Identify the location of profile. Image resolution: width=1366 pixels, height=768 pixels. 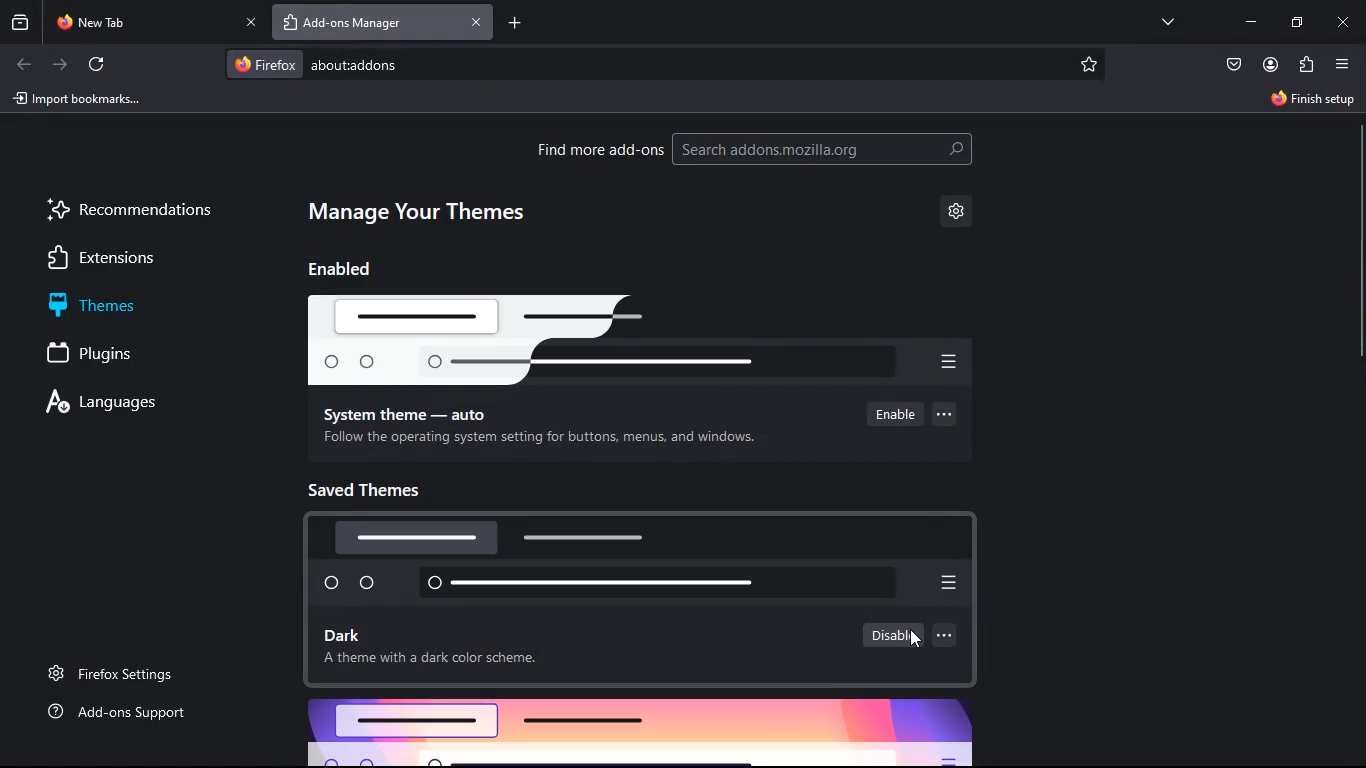
(1268, 65).